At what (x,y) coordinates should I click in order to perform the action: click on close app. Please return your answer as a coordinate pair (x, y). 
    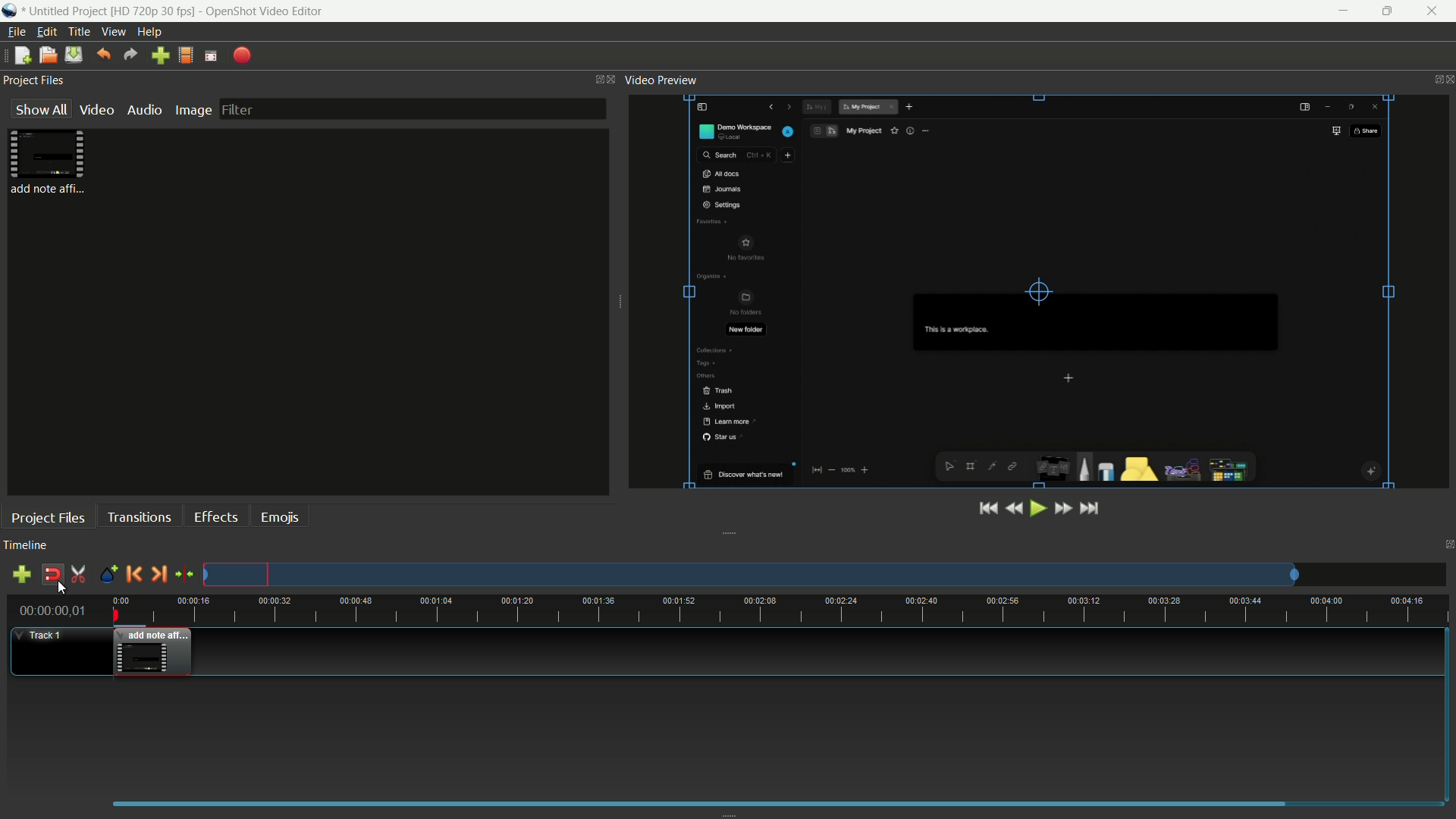
    Looking at the image, I should click on (1436, 11).